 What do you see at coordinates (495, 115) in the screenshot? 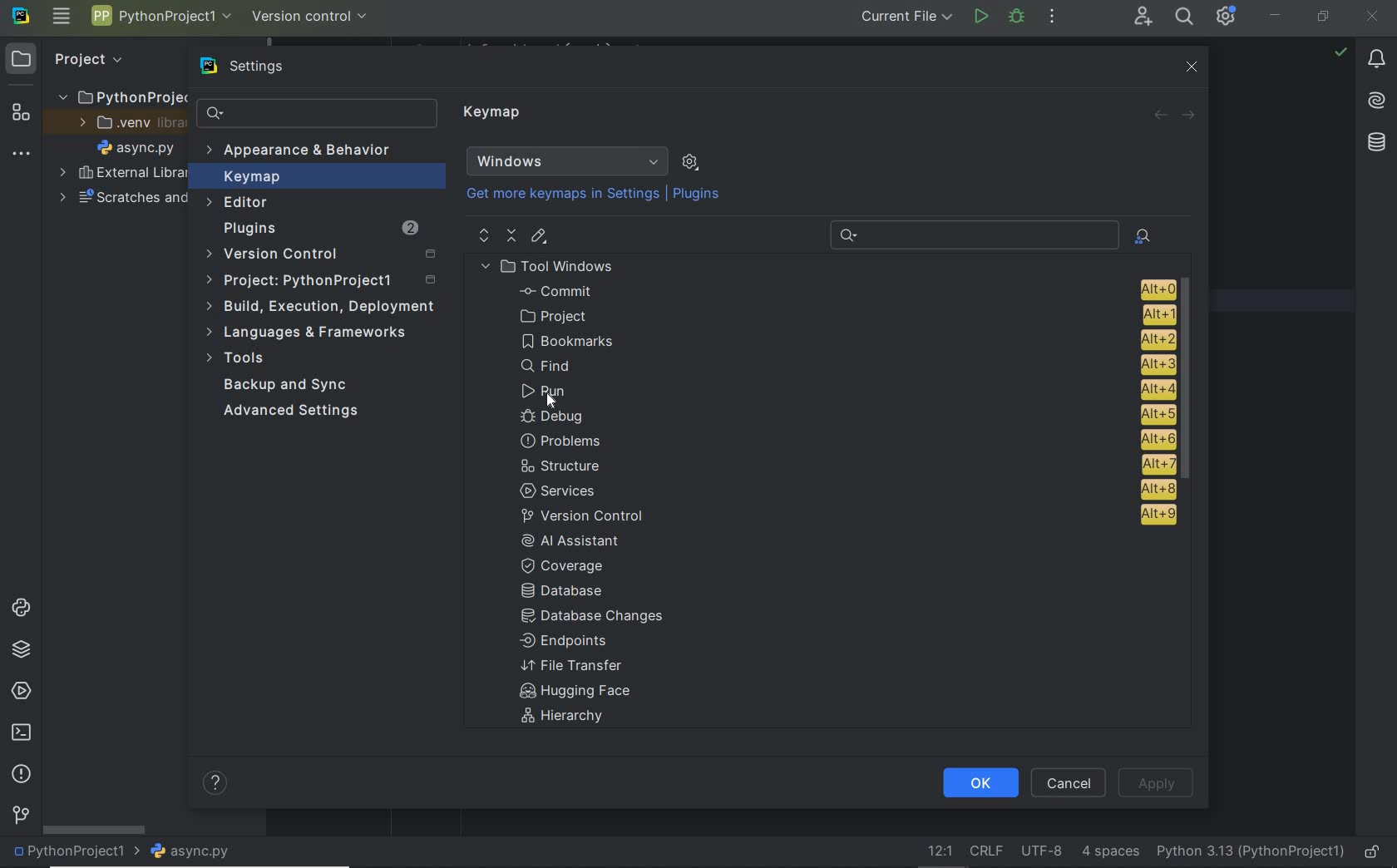
I see `Keymap` at bounding box center [495, 115].